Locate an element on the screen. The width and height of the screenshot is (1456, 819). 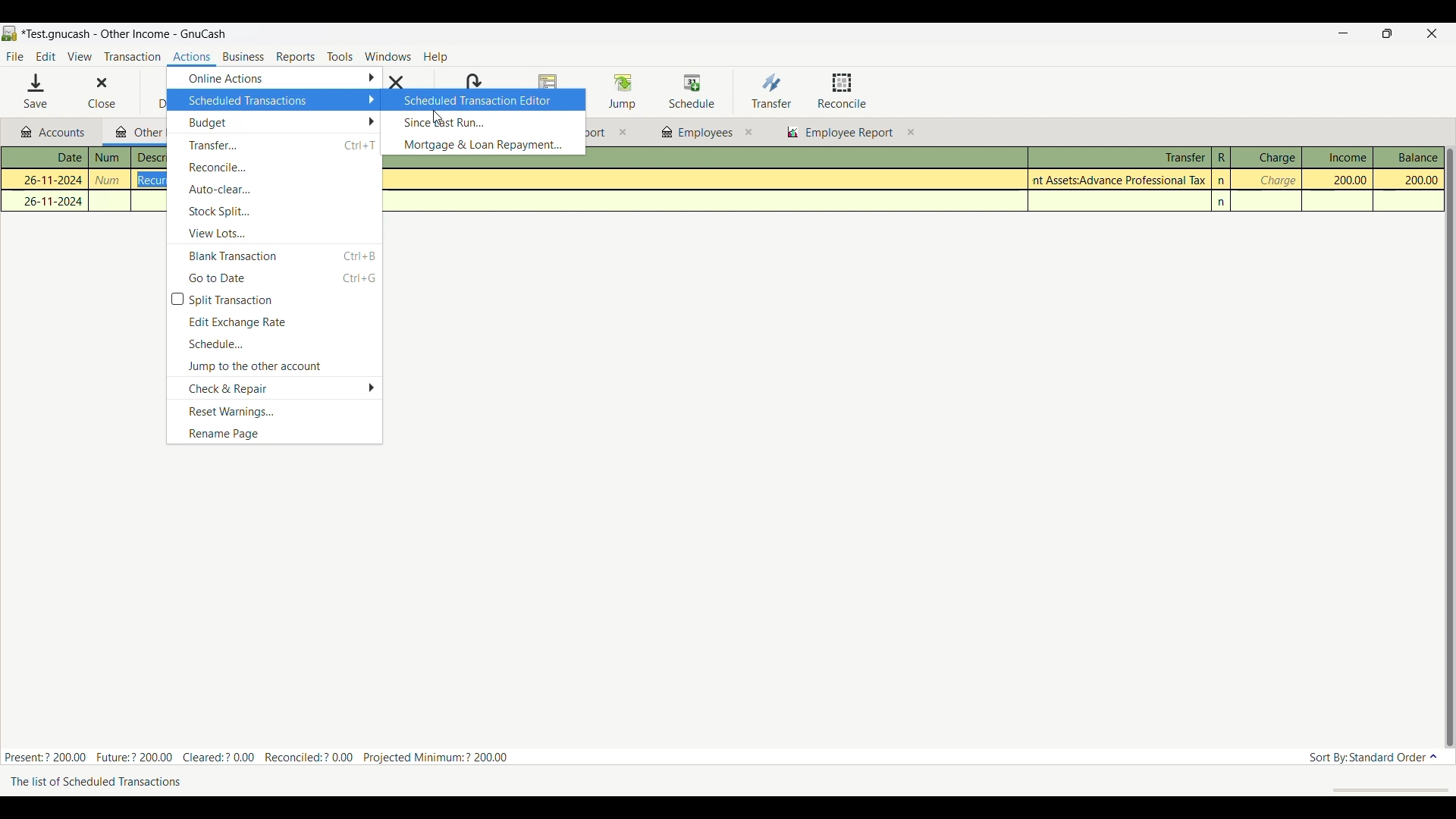
Transaction menu is located at coordinates (132, 57).